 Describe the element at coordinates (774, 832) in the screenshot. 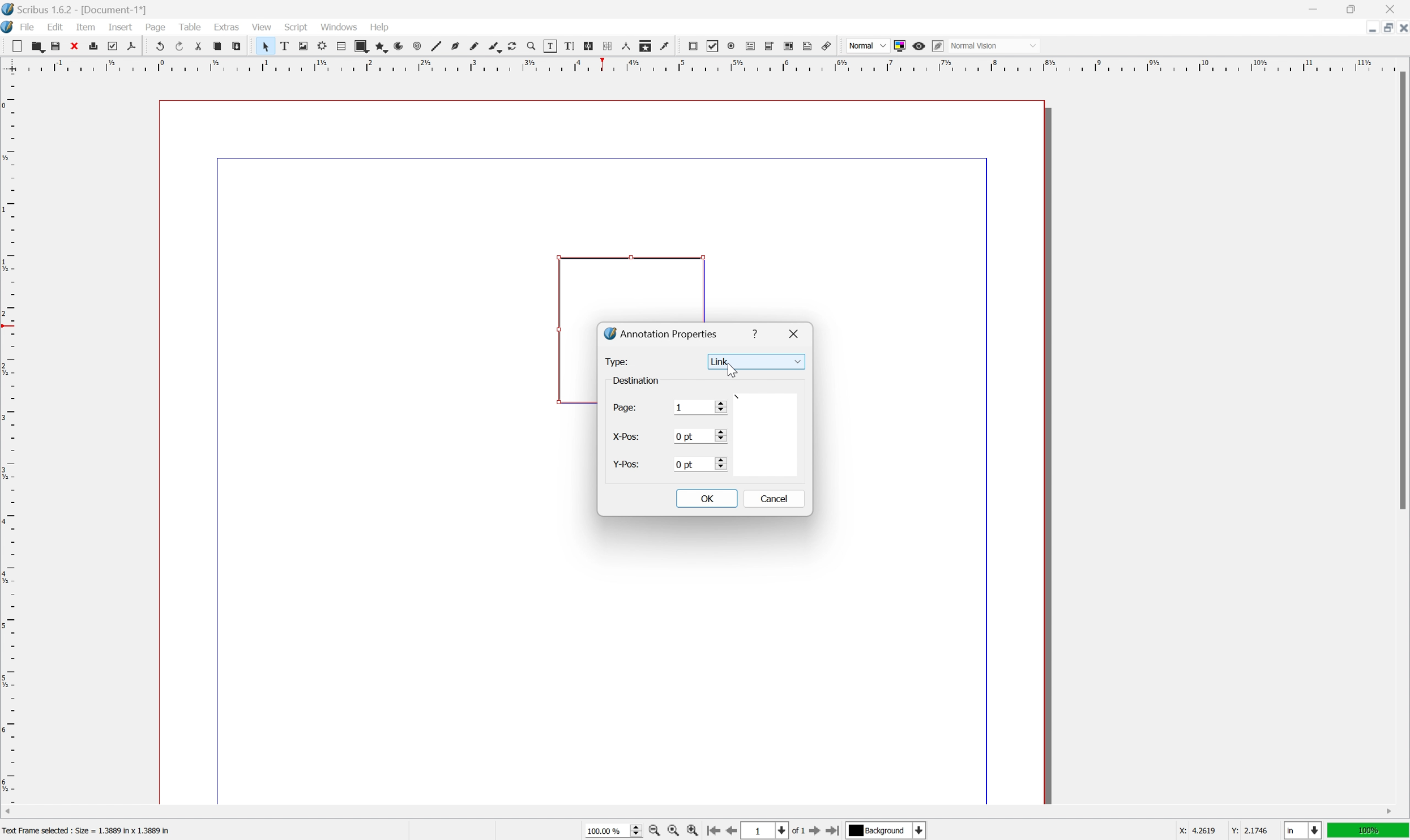

I see `select current page` at that location.